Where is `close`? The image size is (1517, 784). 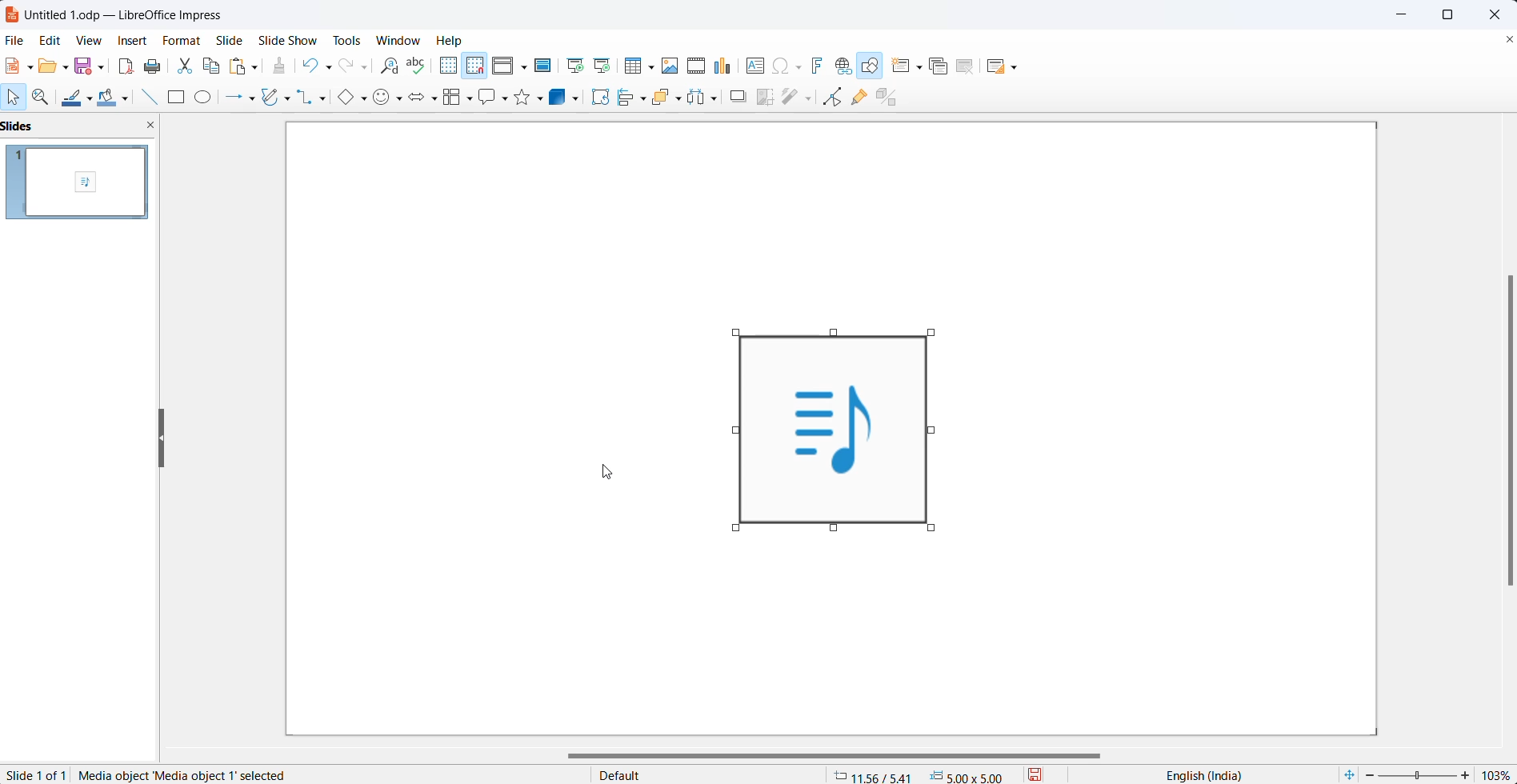 close is located at coordinates (1494, 14).